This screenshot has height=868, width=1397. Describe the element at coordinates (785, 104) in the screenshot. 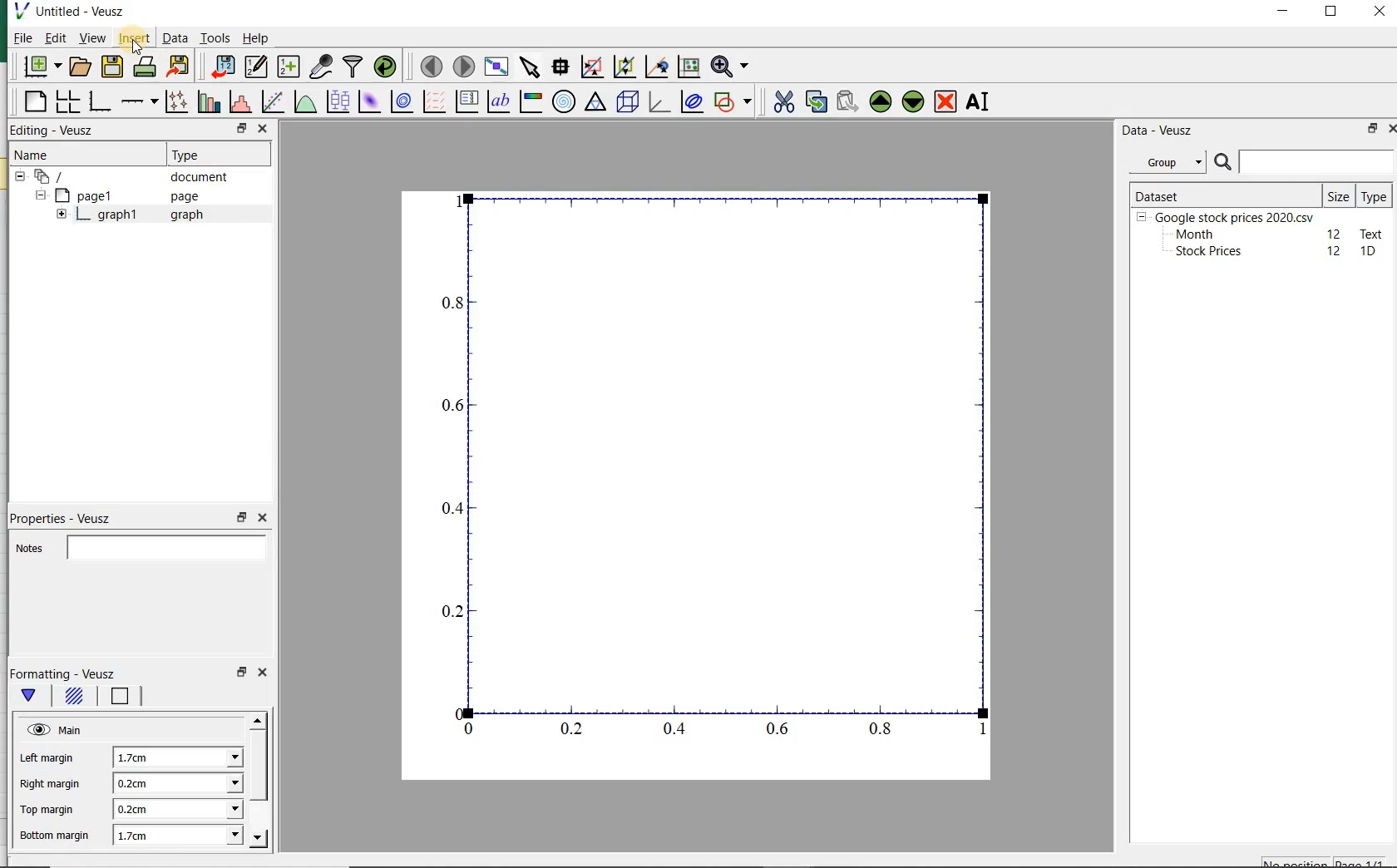

I see `cut the selected widget` at that location.